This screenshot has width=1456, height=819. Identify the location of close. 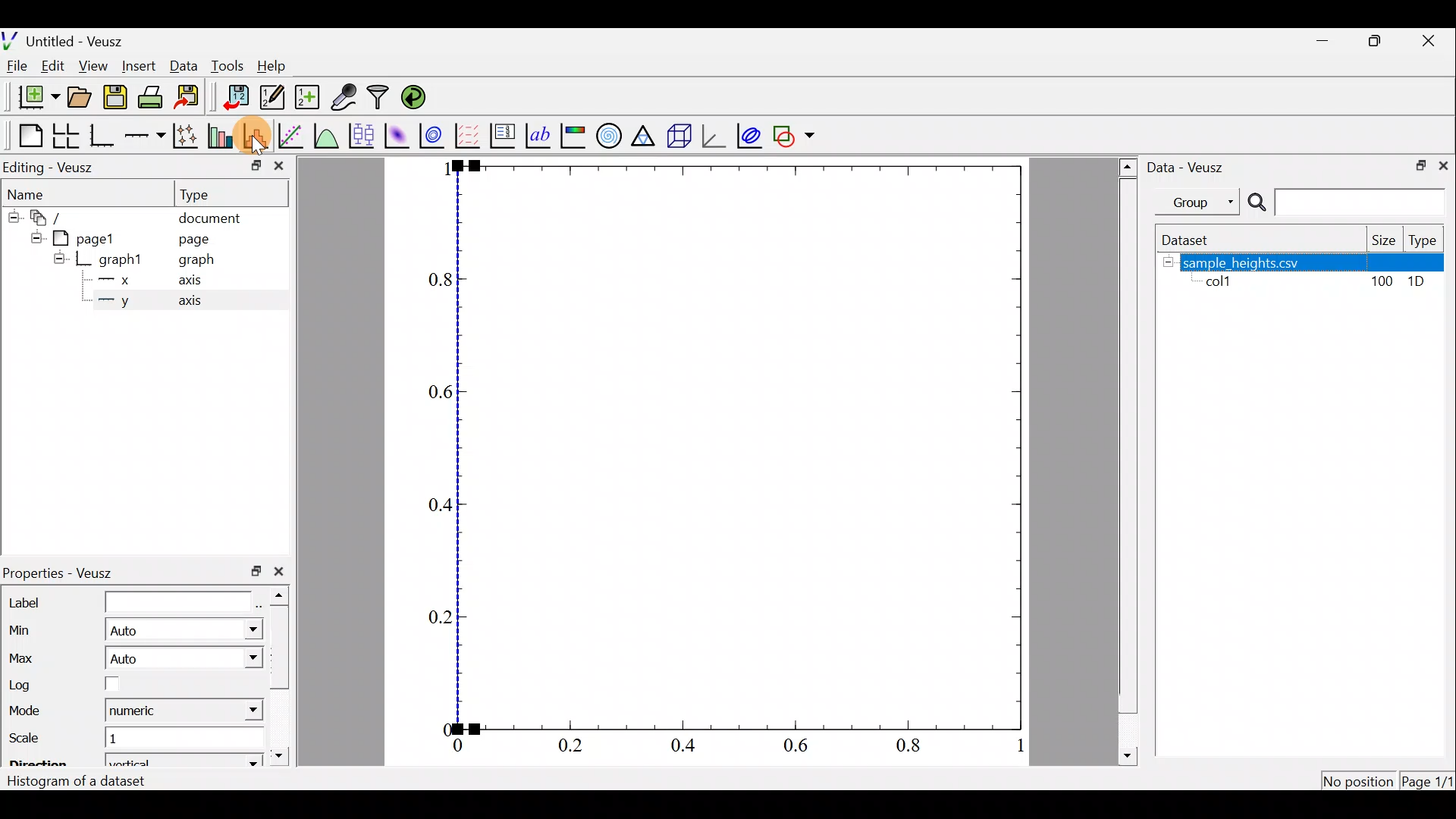
(281, 166).